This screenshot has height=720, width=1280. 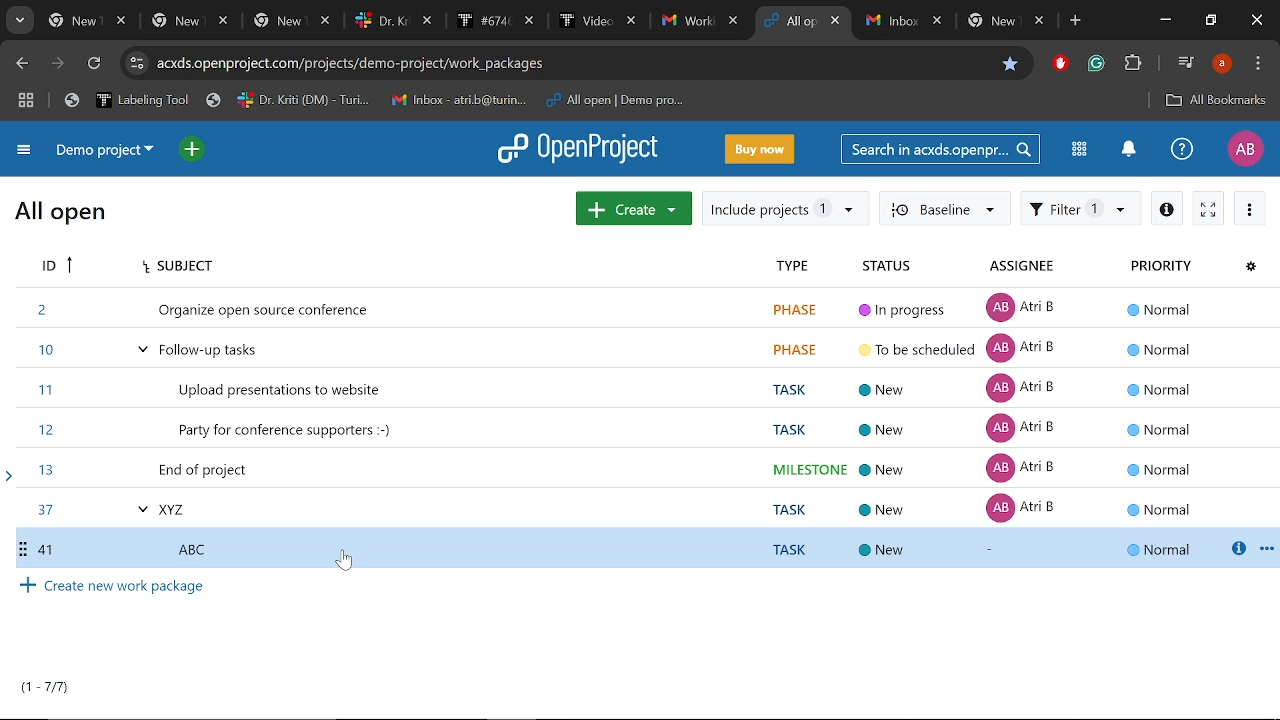 What do you see at coordinates (1074, 22) in the screenshot?
I see `Add new tab` at bounding box center [1074, 22].